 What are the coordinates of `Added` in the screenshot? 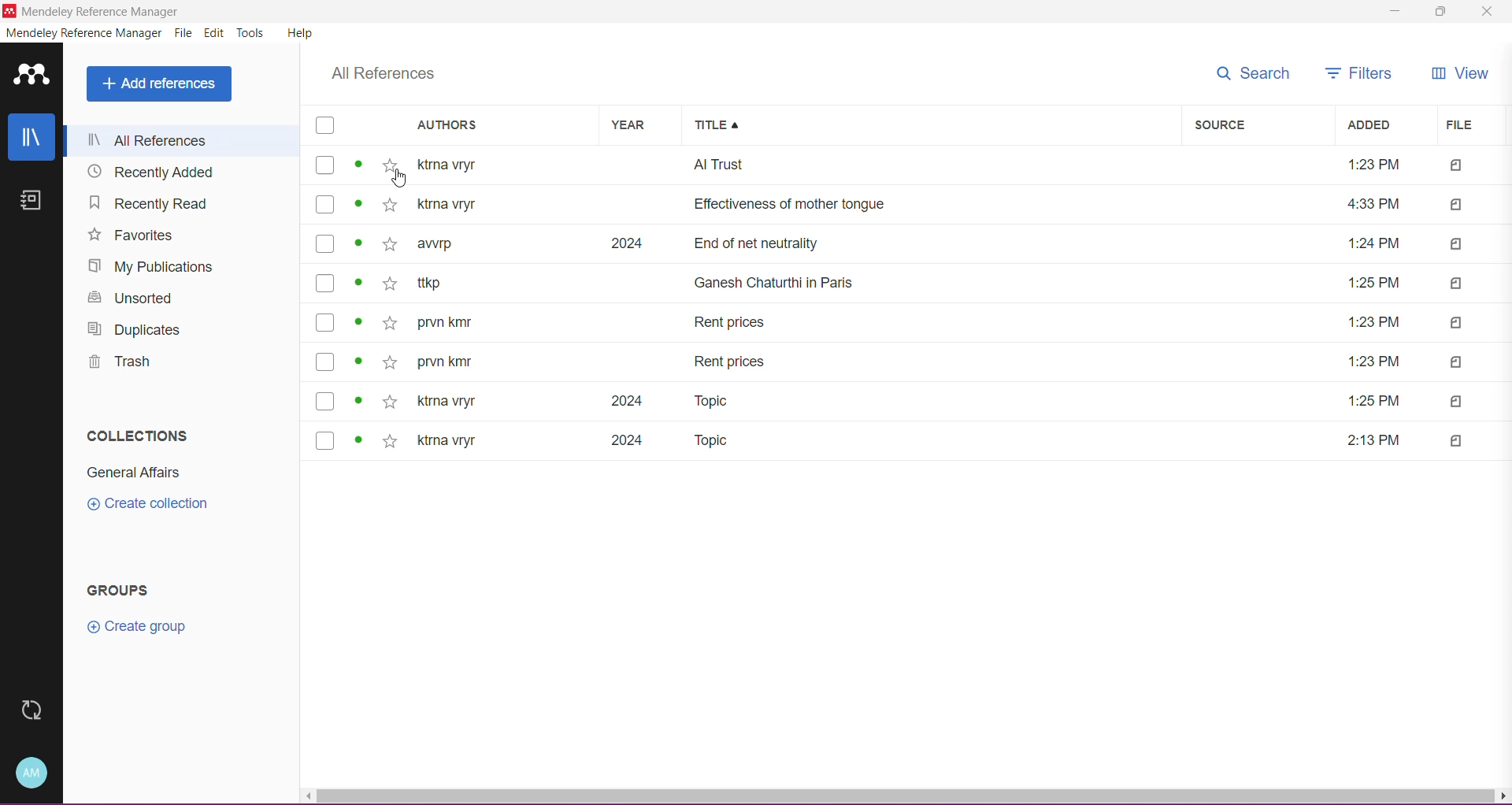 It's located at (1382, 125).